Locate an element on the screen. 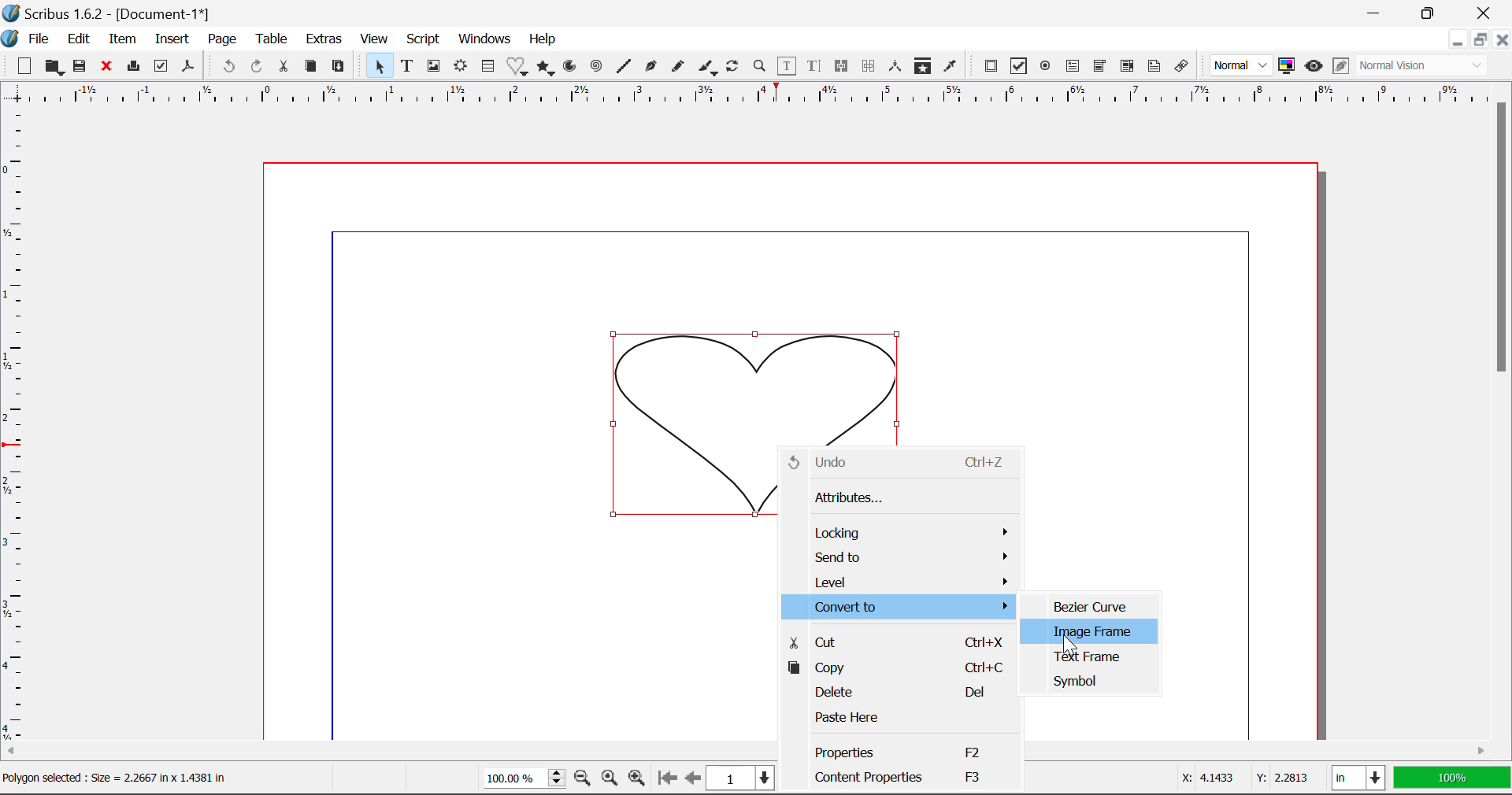 The width and height of the screenshot is (1512, 795). Send to is located at coordinates (904, 558).